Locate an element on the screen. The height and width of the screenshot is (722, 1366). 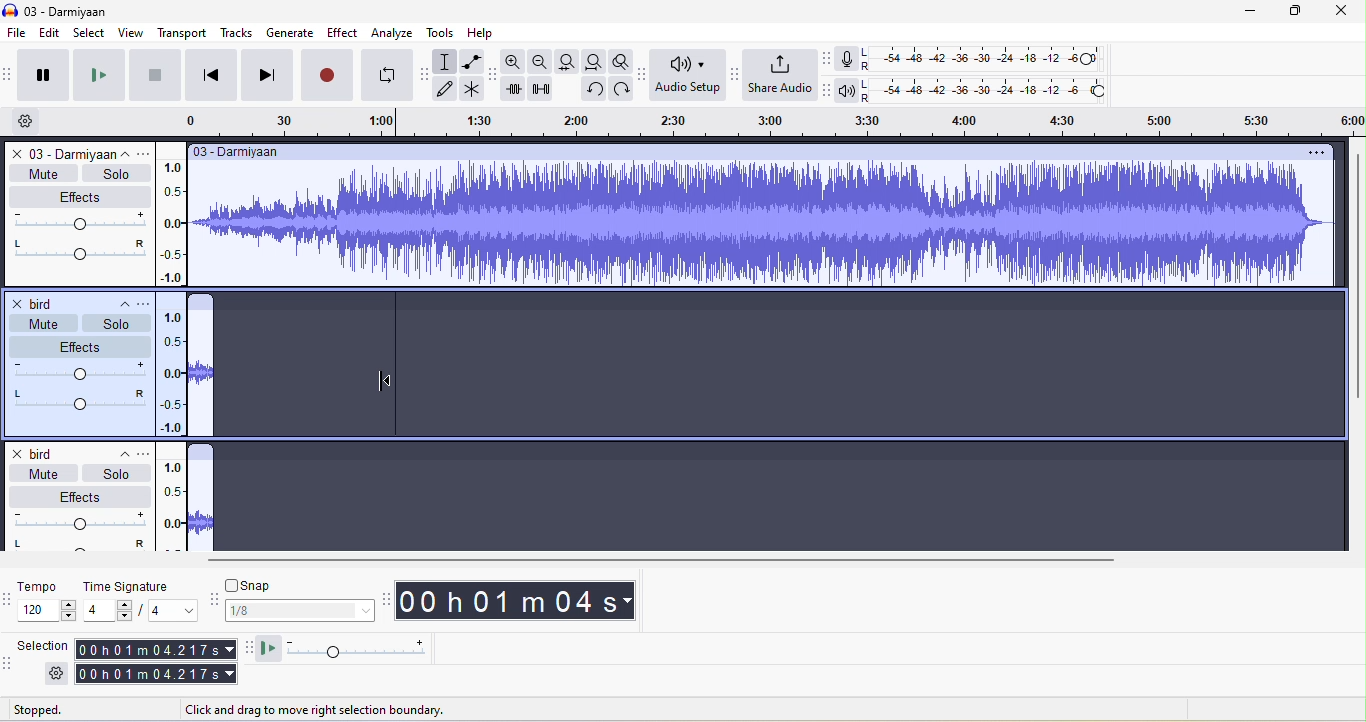
multi tool is located at coordinates (472, 92).